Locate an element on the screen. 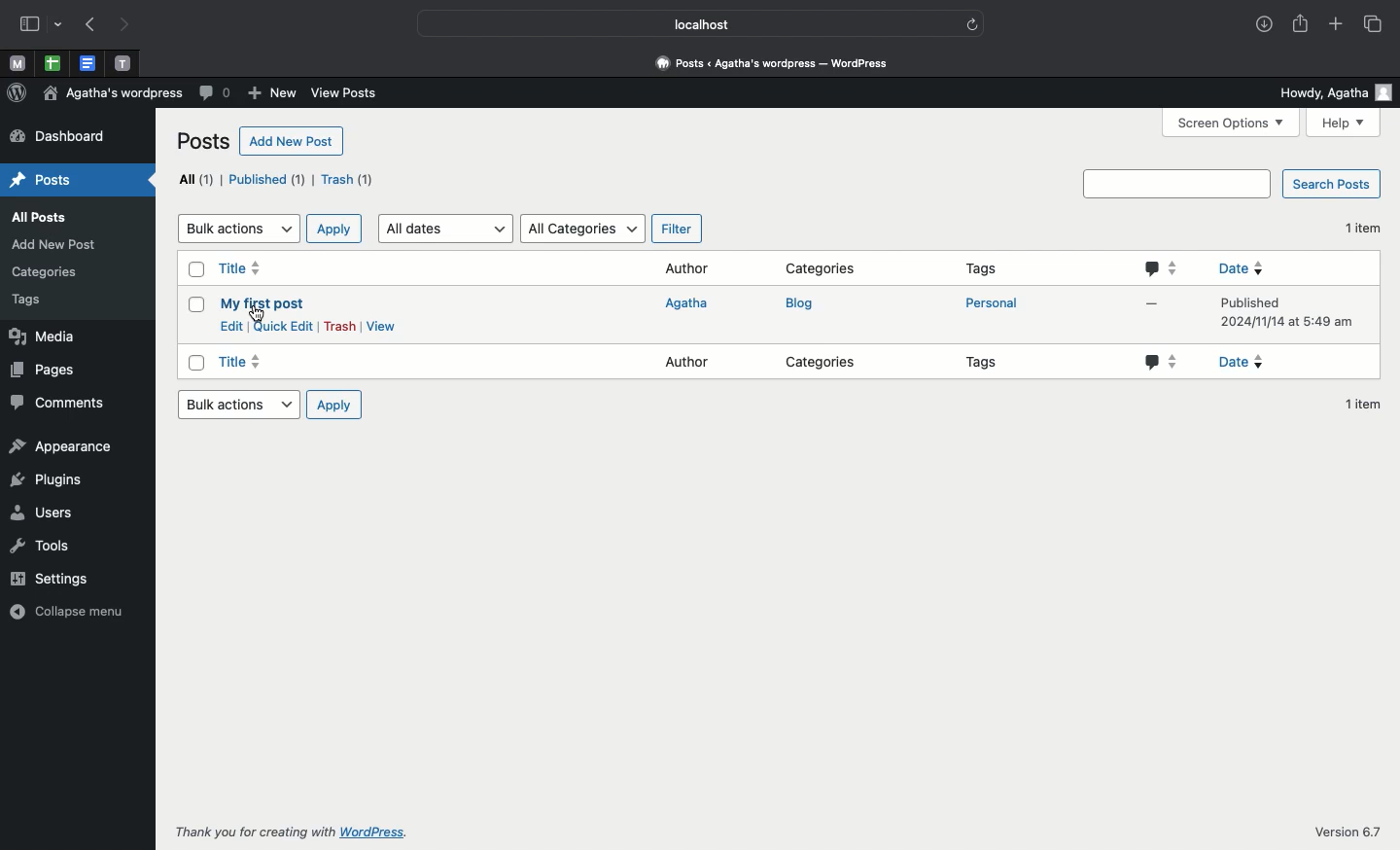  Date is located at coordinates (1297, 266).